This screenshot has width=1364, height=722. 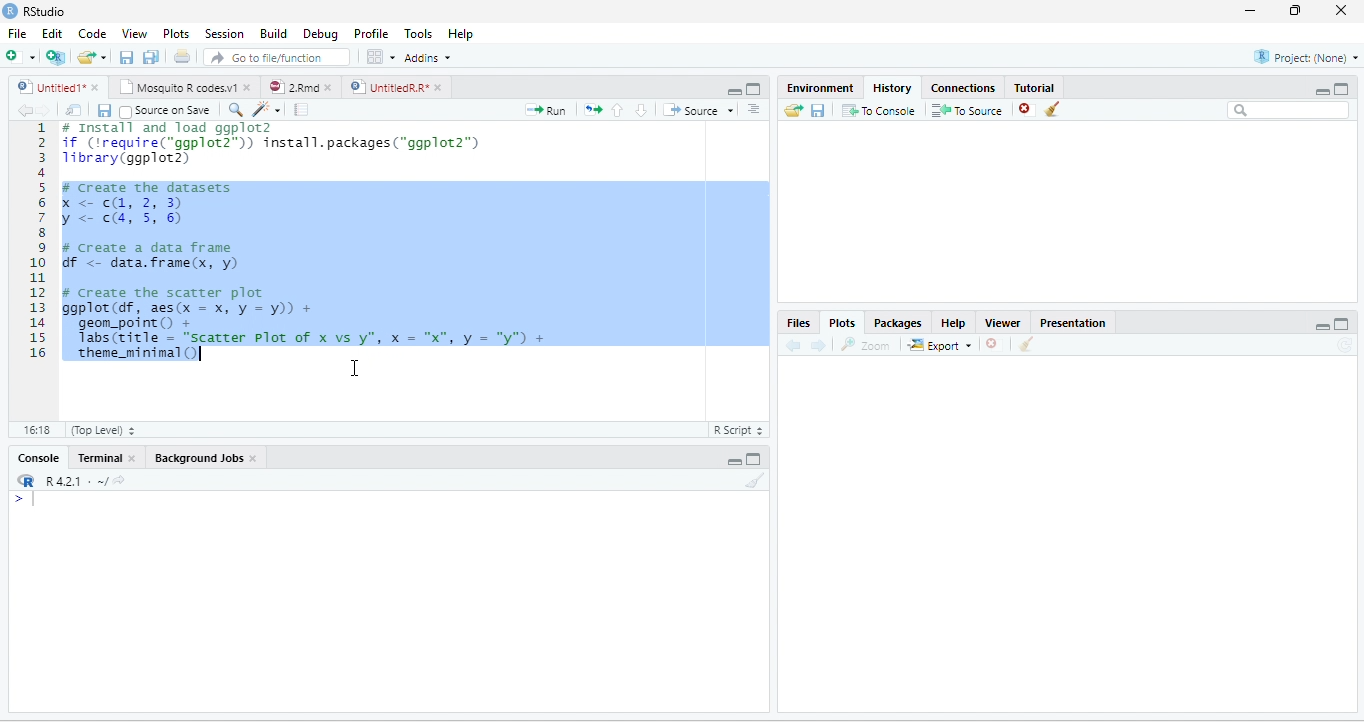 What do you see at coordinates (75, 481) in the screenshot?
I see `R 4.2.1 . ~/` at bounding box center [75, 481].